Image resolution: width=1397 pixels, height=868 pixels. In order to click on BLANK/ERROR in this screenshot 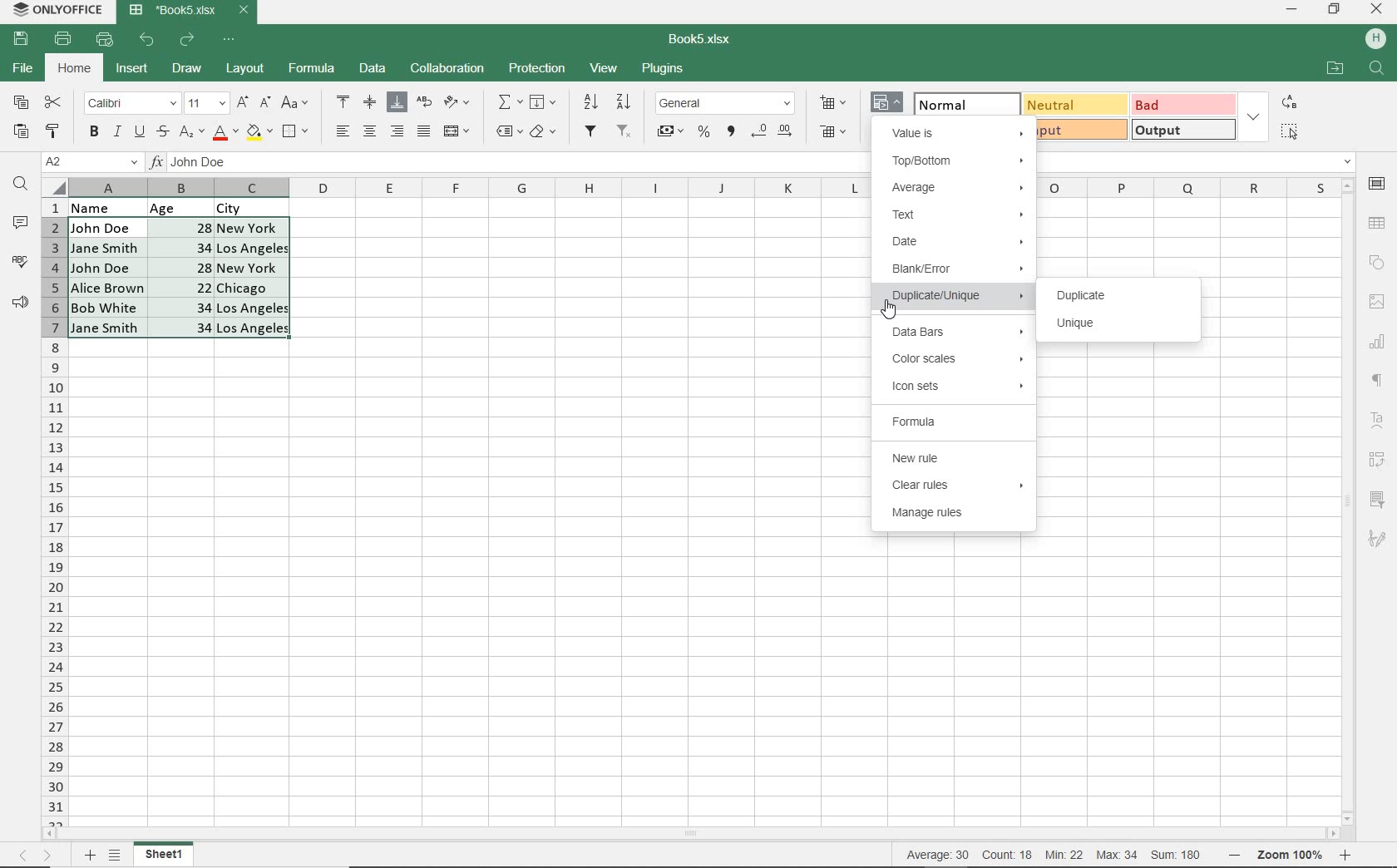, I will do `click(955, 272)`.